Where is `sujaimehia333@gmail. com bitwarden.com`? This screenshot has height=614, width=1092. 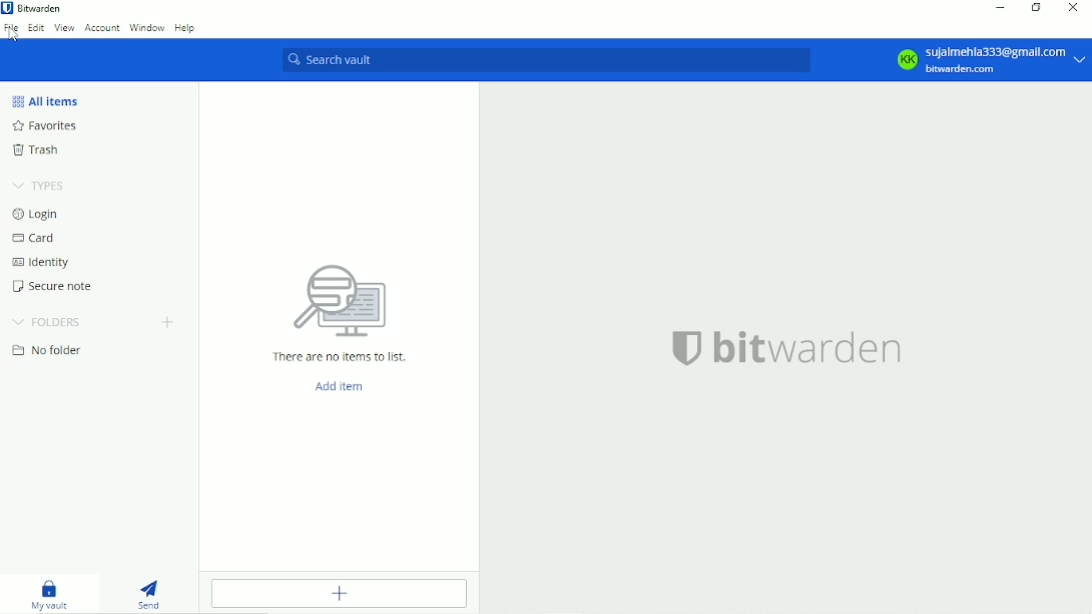 sujaimehia333@gmail. com bitwarden.com is located at coordinates (1005, 59).